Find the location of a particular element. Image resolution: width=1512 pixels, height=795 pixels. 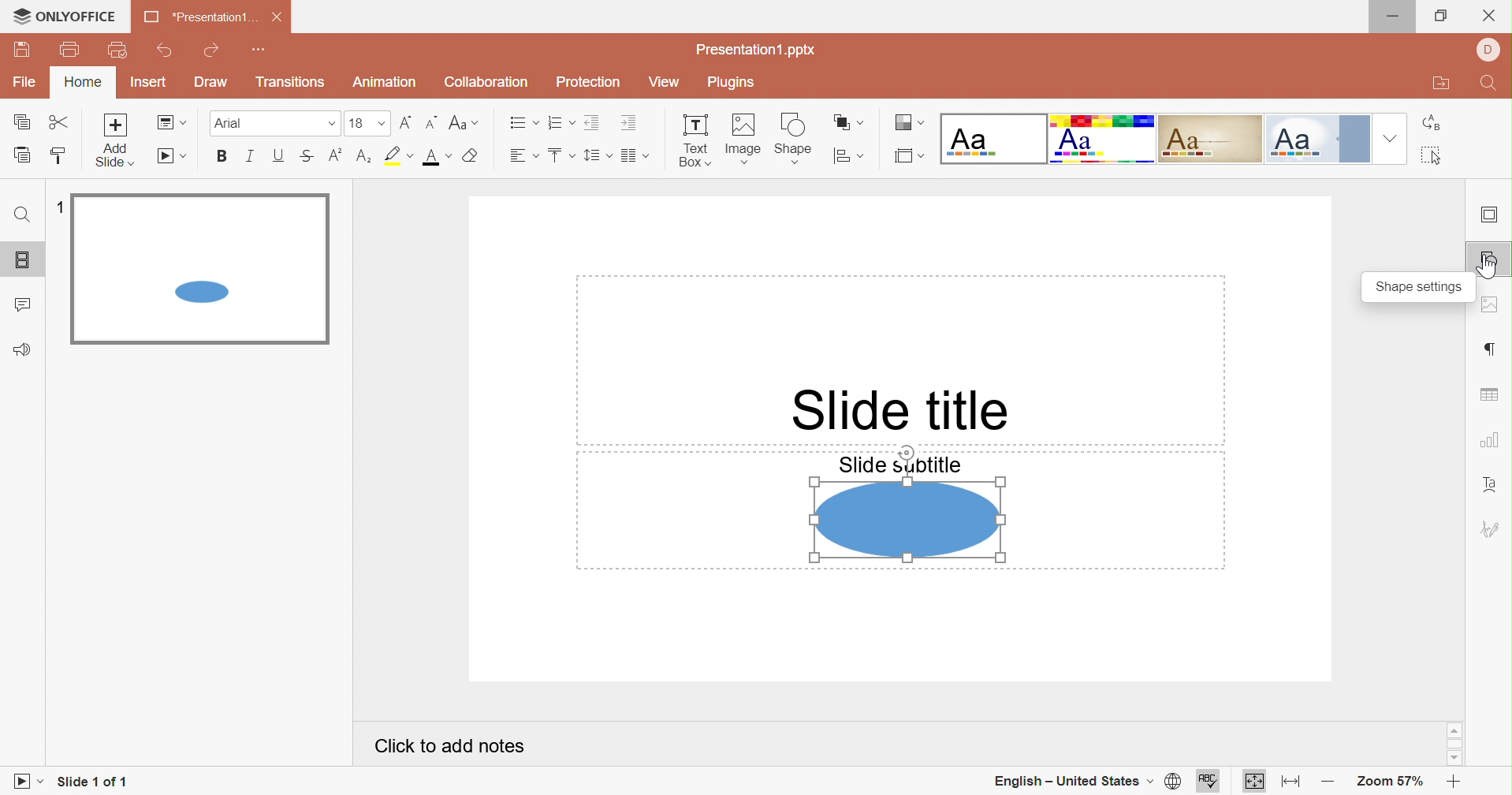

Image is located at coordinates (744, 140).